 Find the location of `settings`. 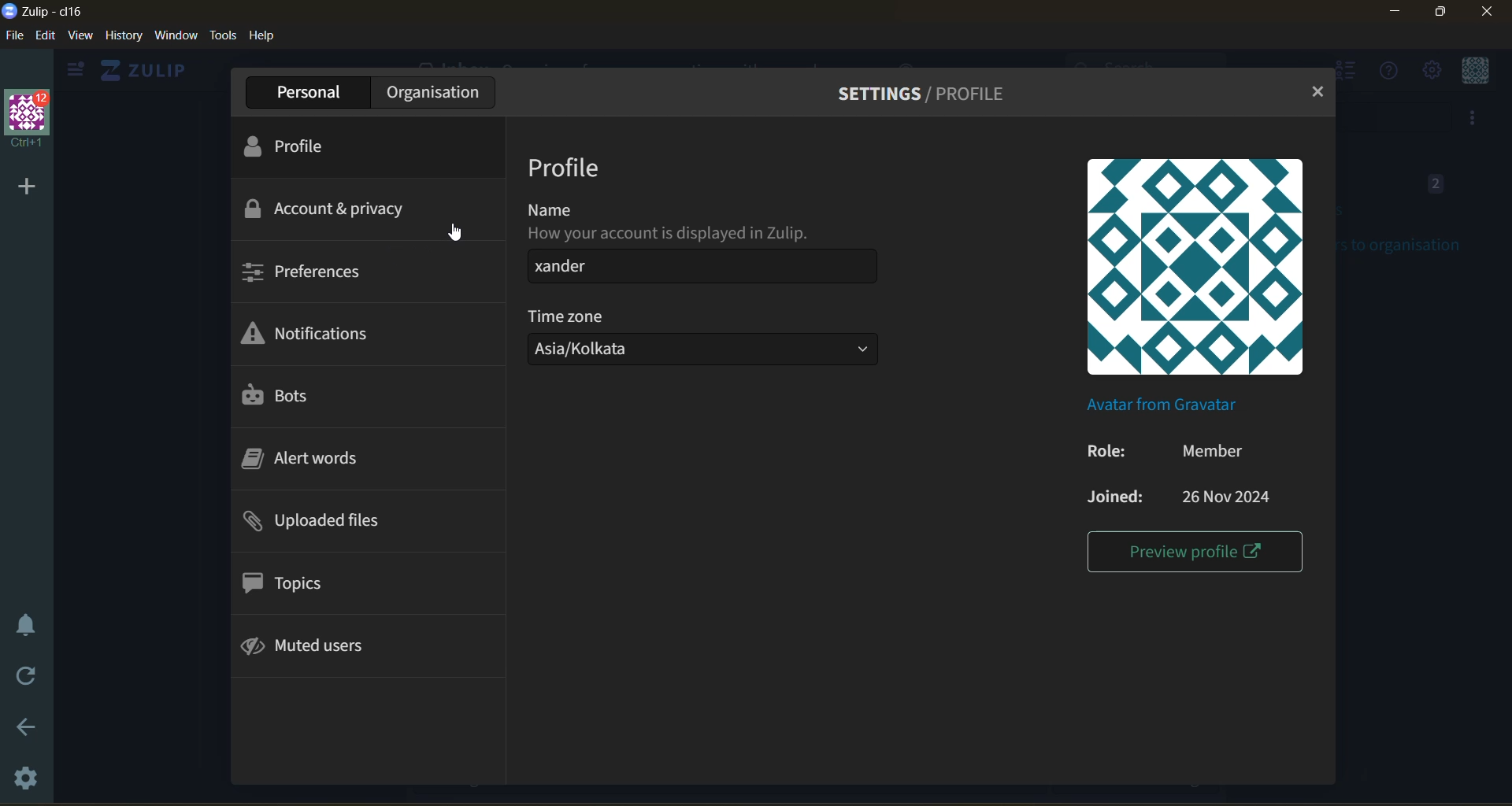

settings is located at coordinates (29, 779).